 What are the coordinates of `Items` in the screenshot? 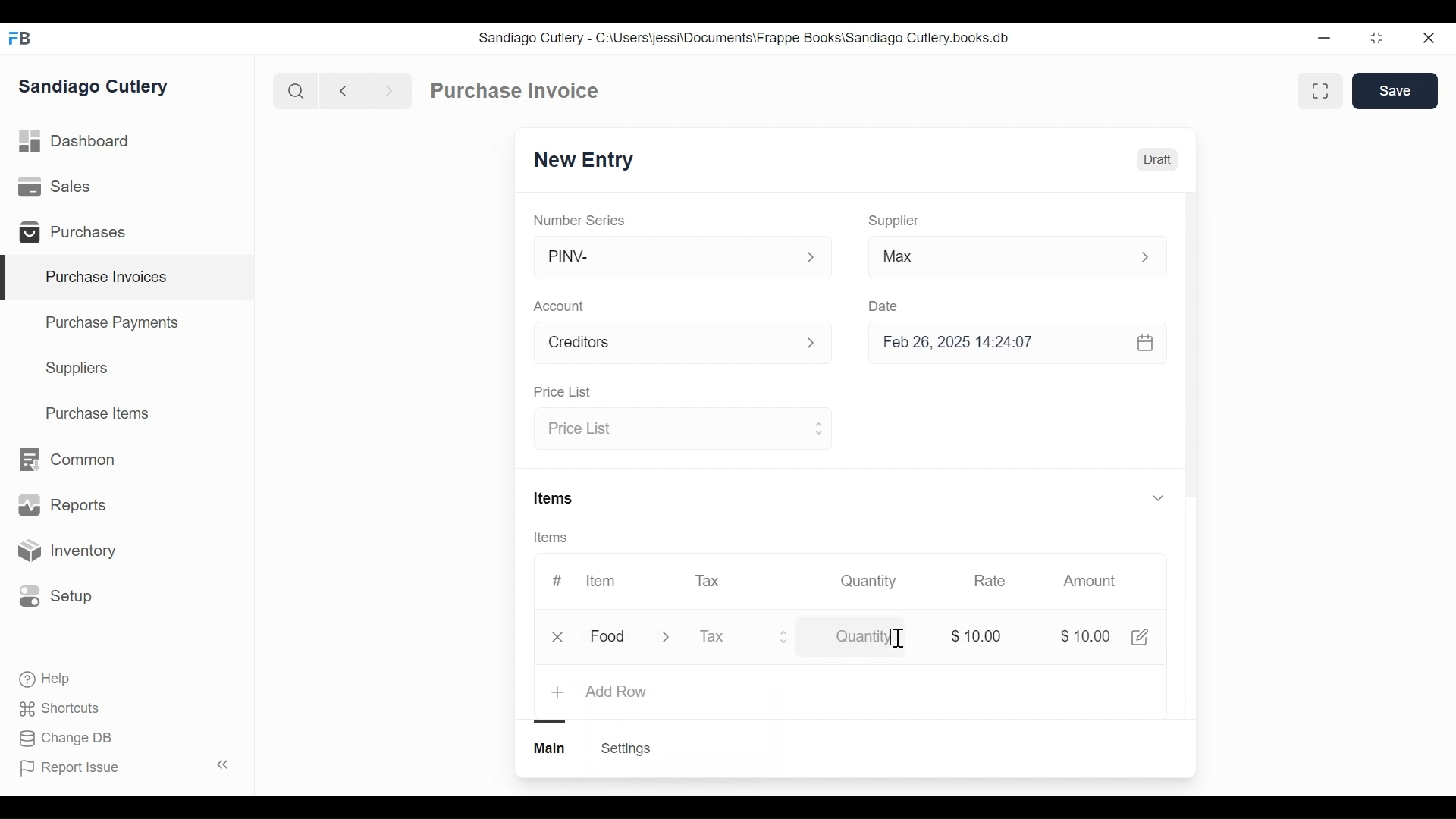 It's located at (555, 500).